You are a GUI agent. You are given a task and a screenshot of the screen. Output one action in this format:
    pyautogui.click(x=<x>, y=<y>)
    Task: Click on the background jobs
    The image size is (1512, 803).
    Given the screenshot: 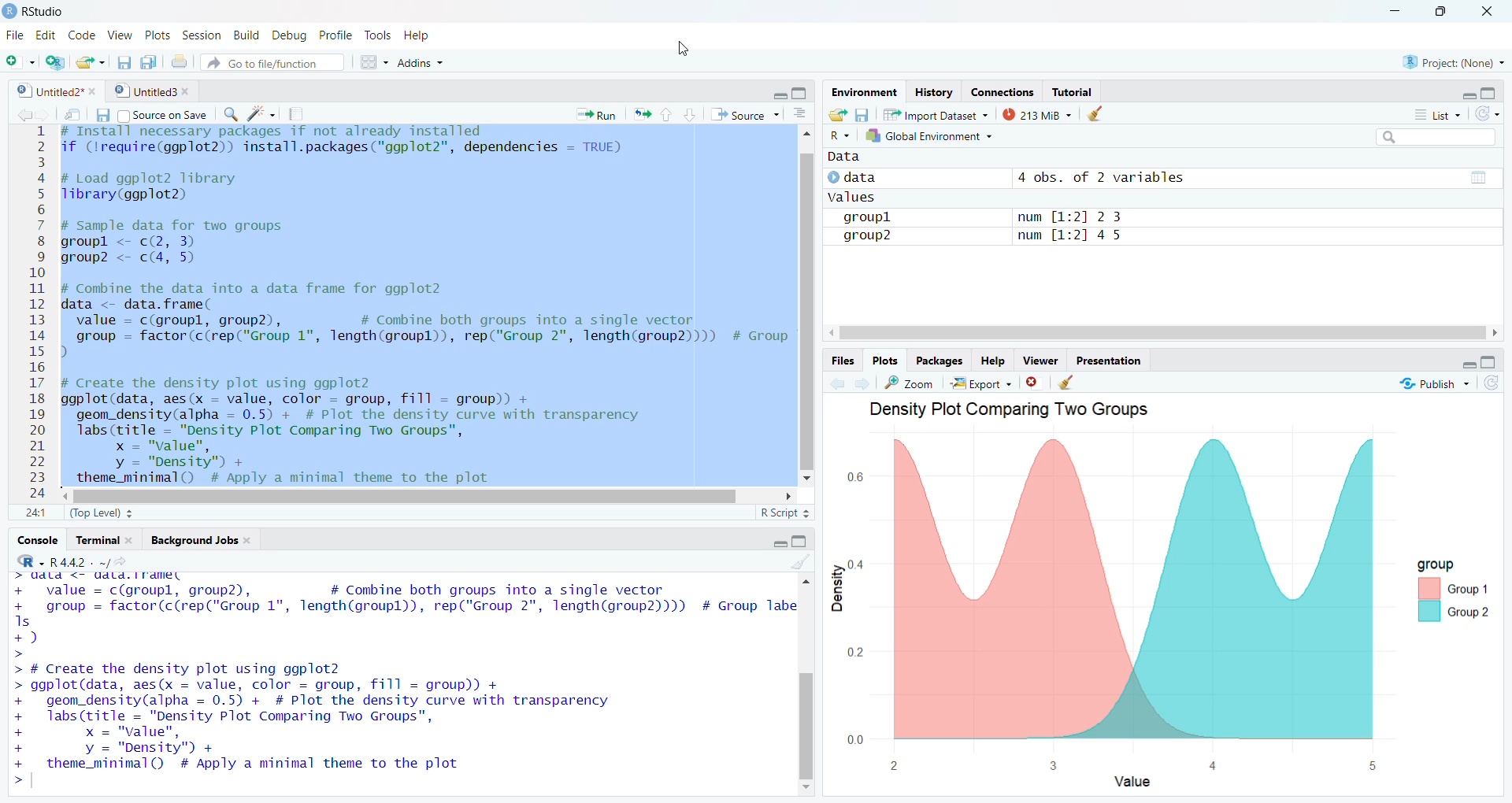 What is the action you would take?
    pyautogui.click(x=198, y=543)
    